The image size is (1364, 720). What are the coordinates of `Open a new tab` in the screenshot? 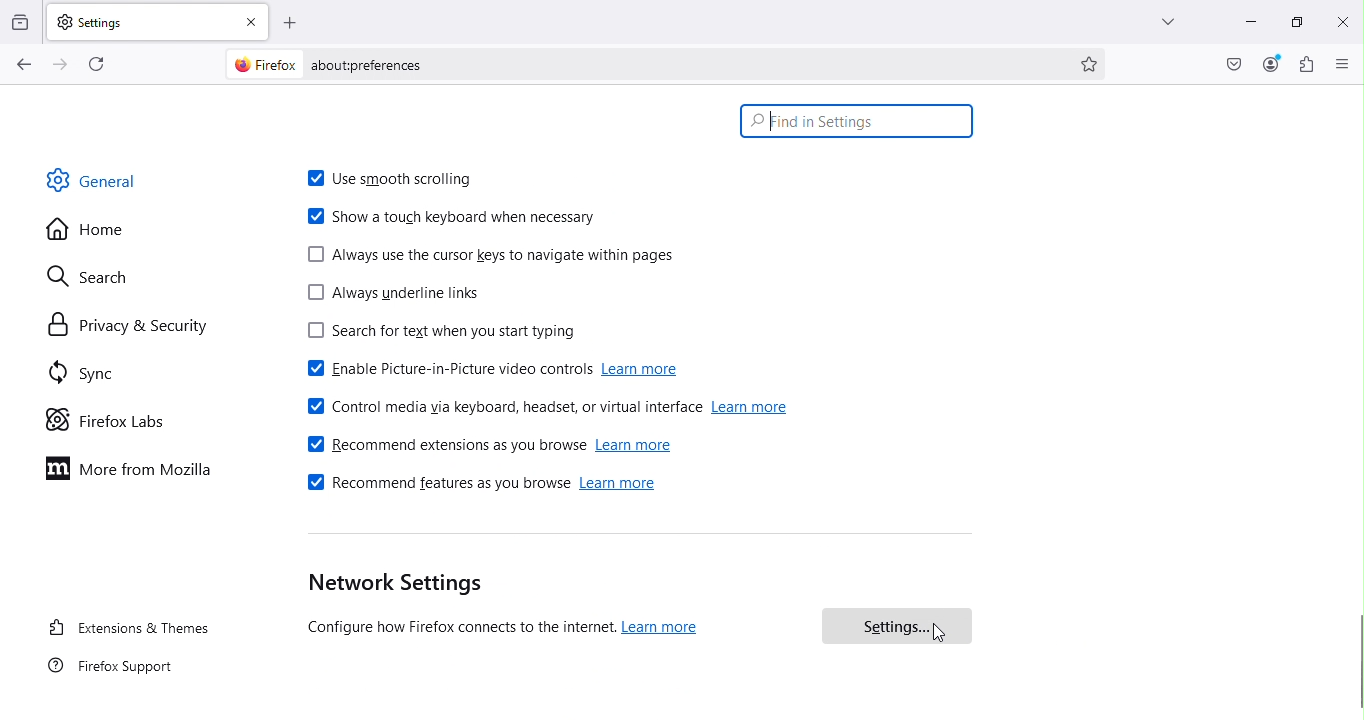 It's located at (291, 22).